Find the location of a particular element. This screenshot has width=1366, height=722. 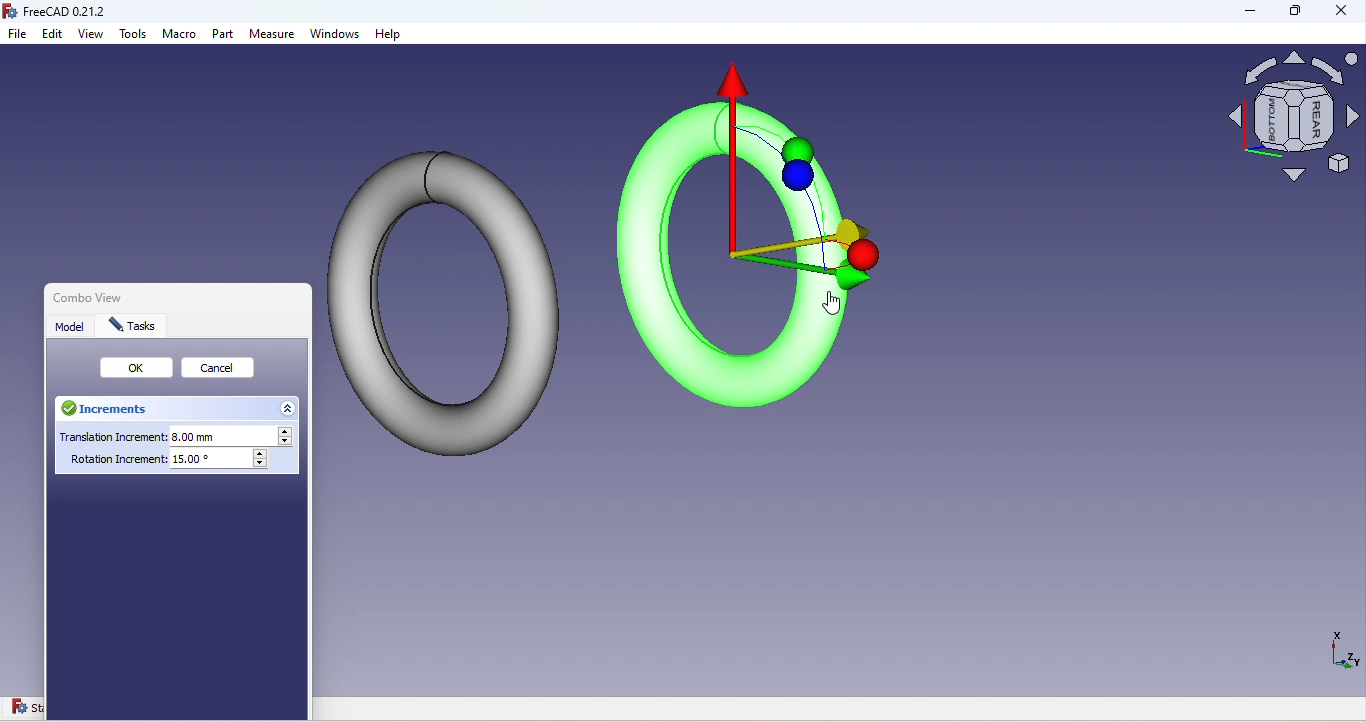

Close is located at coordinates (304, 301).